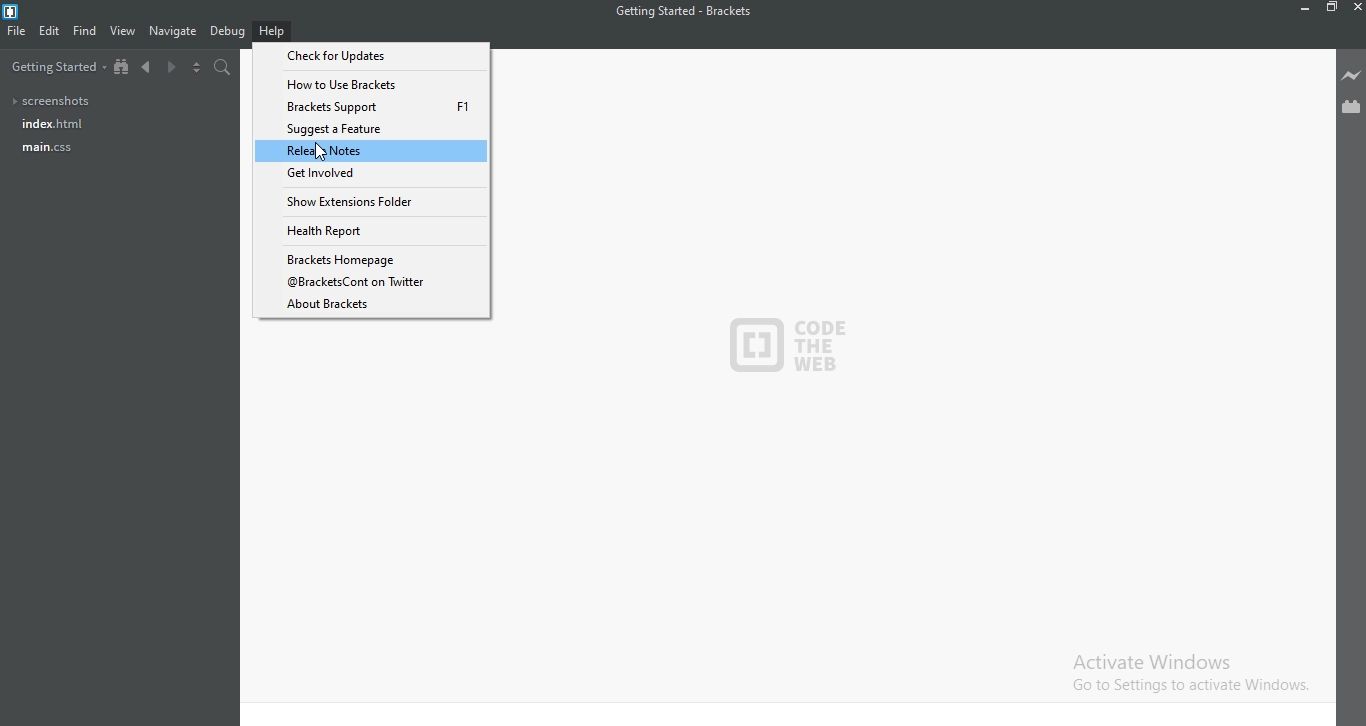  What do you see at coordinates (273, 32) in the screenshot?
I see `Help` at bounding box center [273, 32].